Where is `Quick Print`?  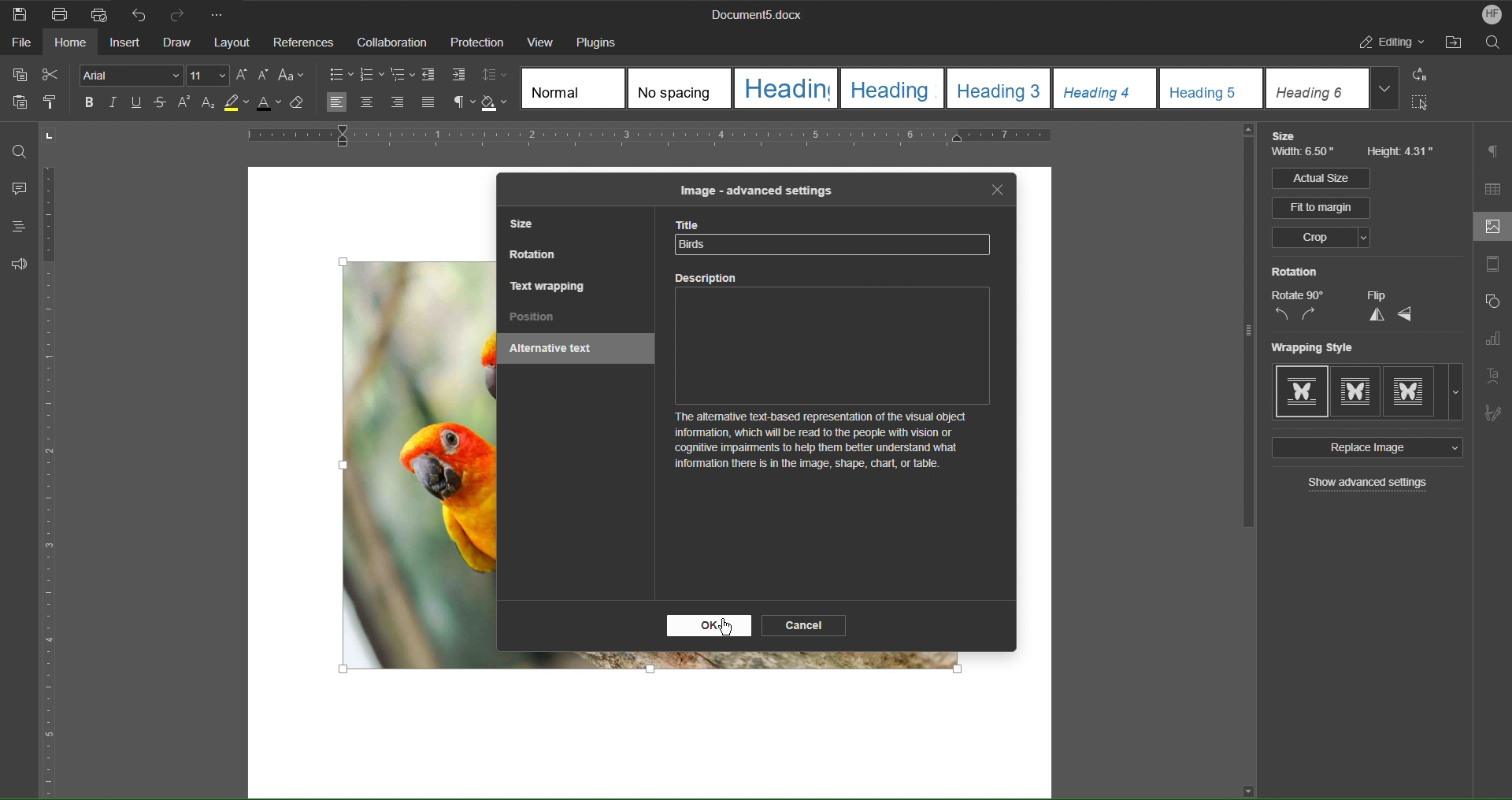 Quick Print is located at coordinates (98, 13).